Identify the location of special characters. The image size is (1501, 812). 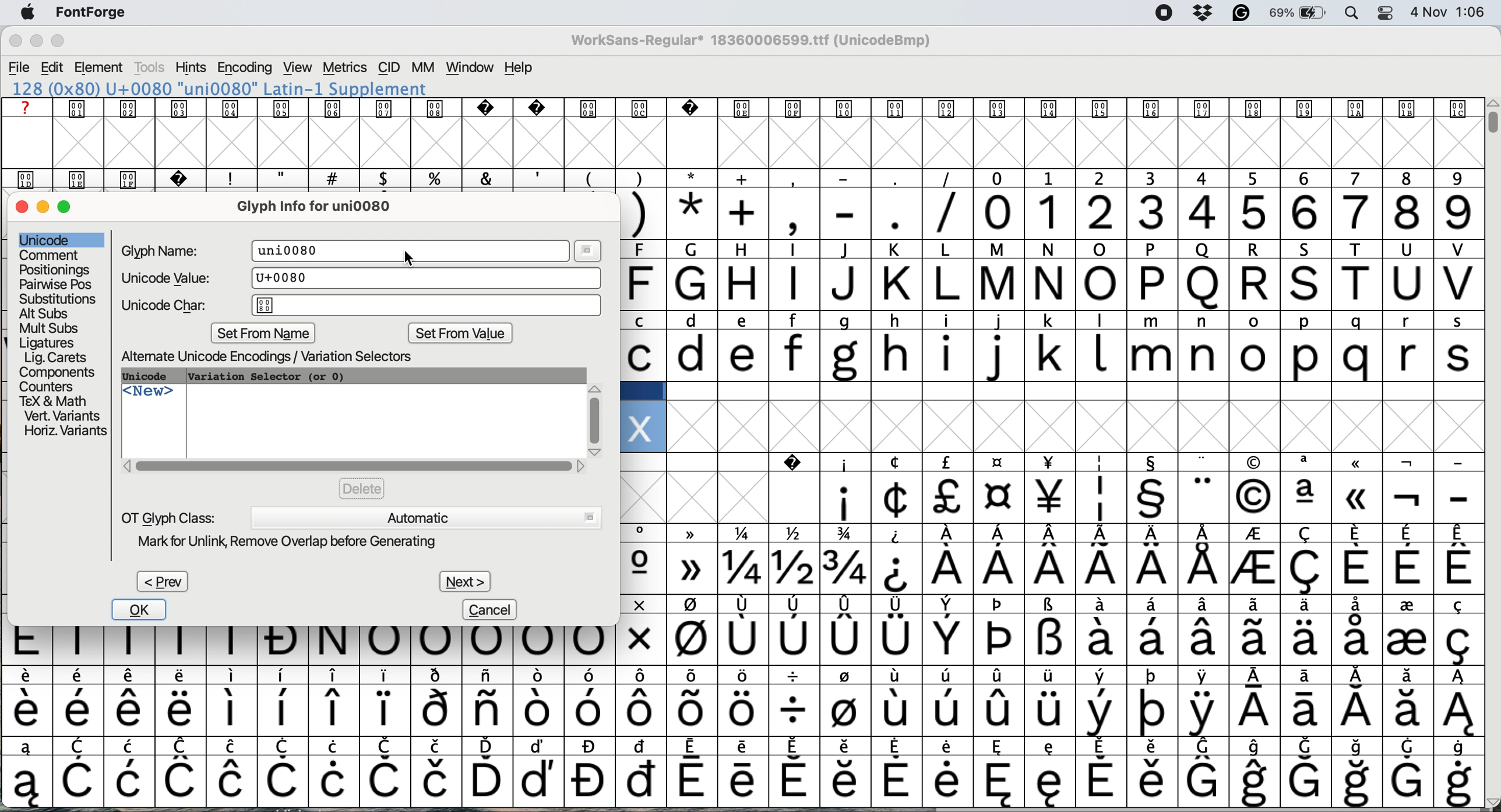
(737, 710).